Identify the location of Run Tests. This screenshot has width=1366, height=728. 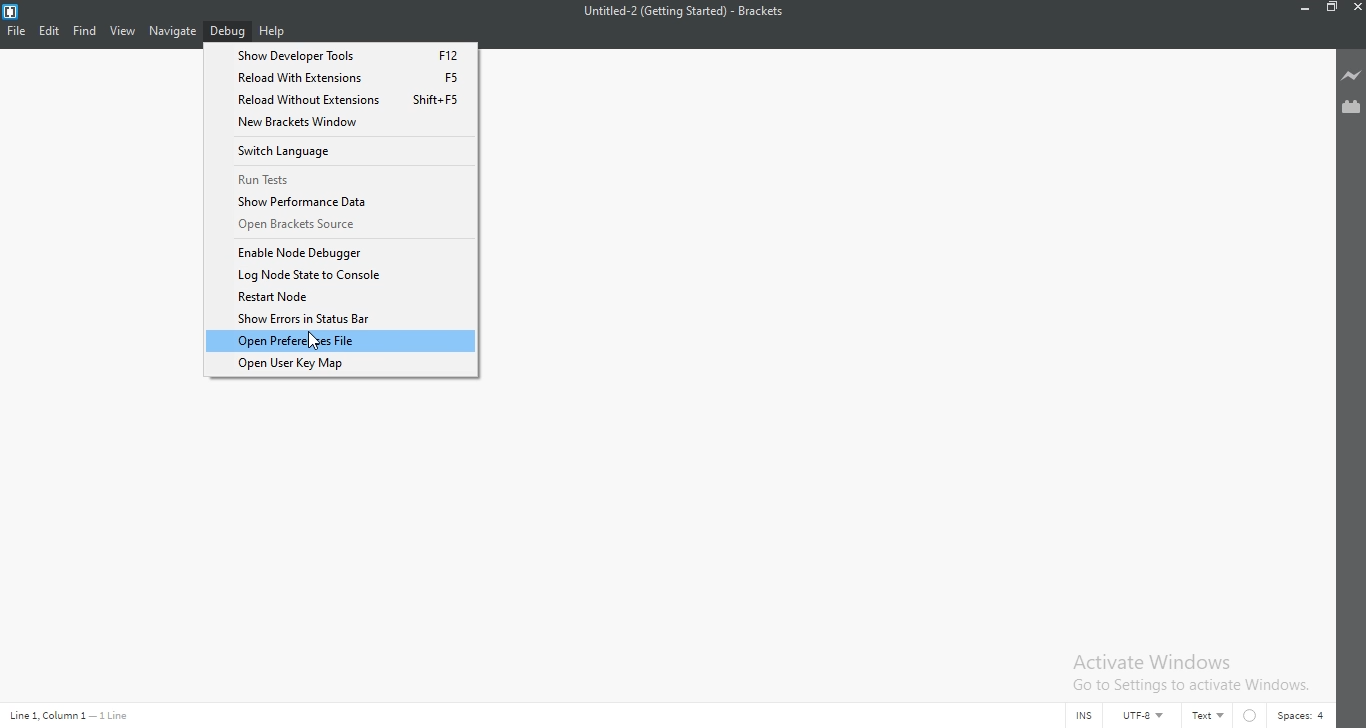
(342, 176).